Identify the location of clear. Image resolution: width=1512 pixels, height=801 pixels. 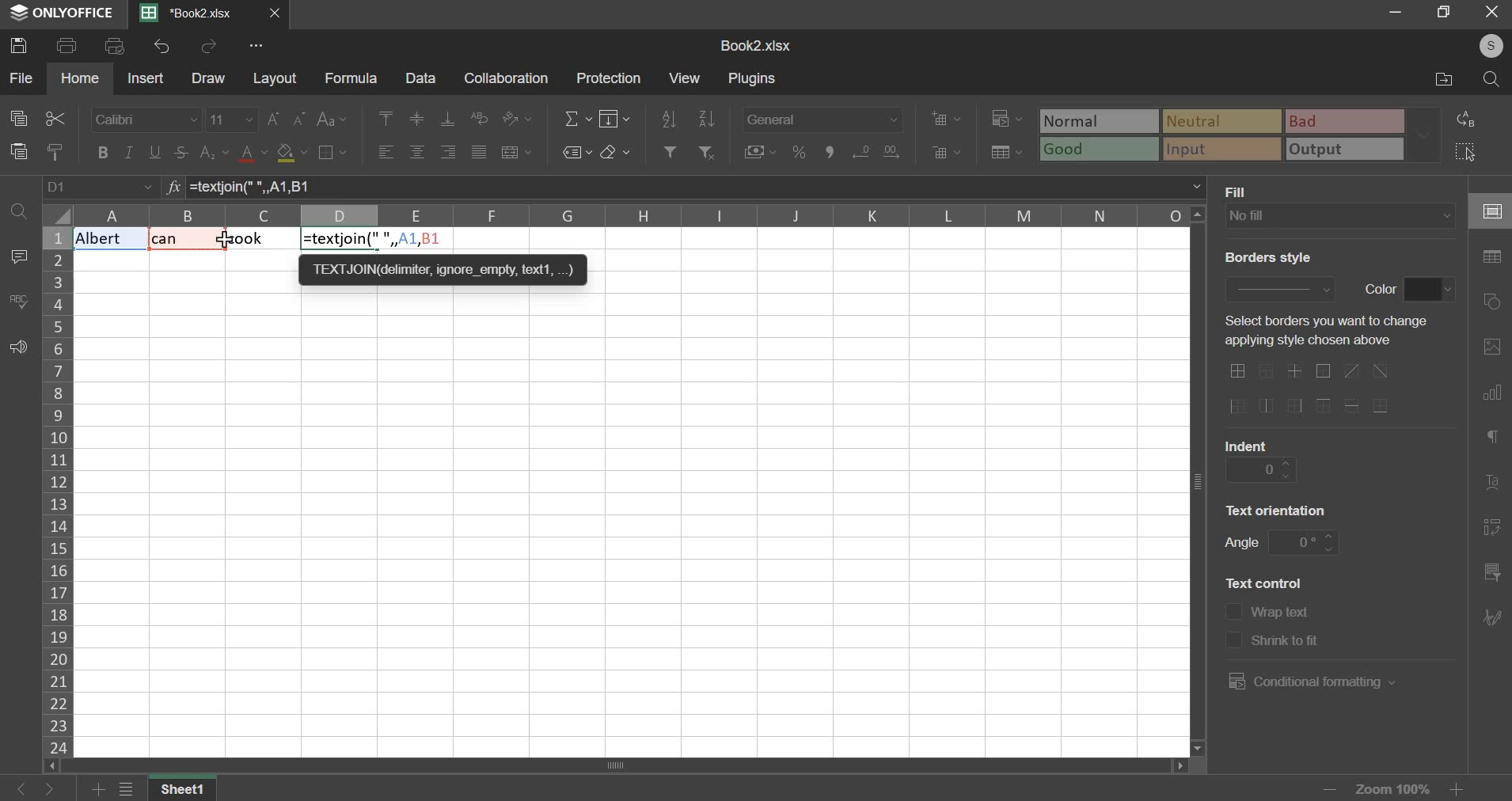
(615, 152).